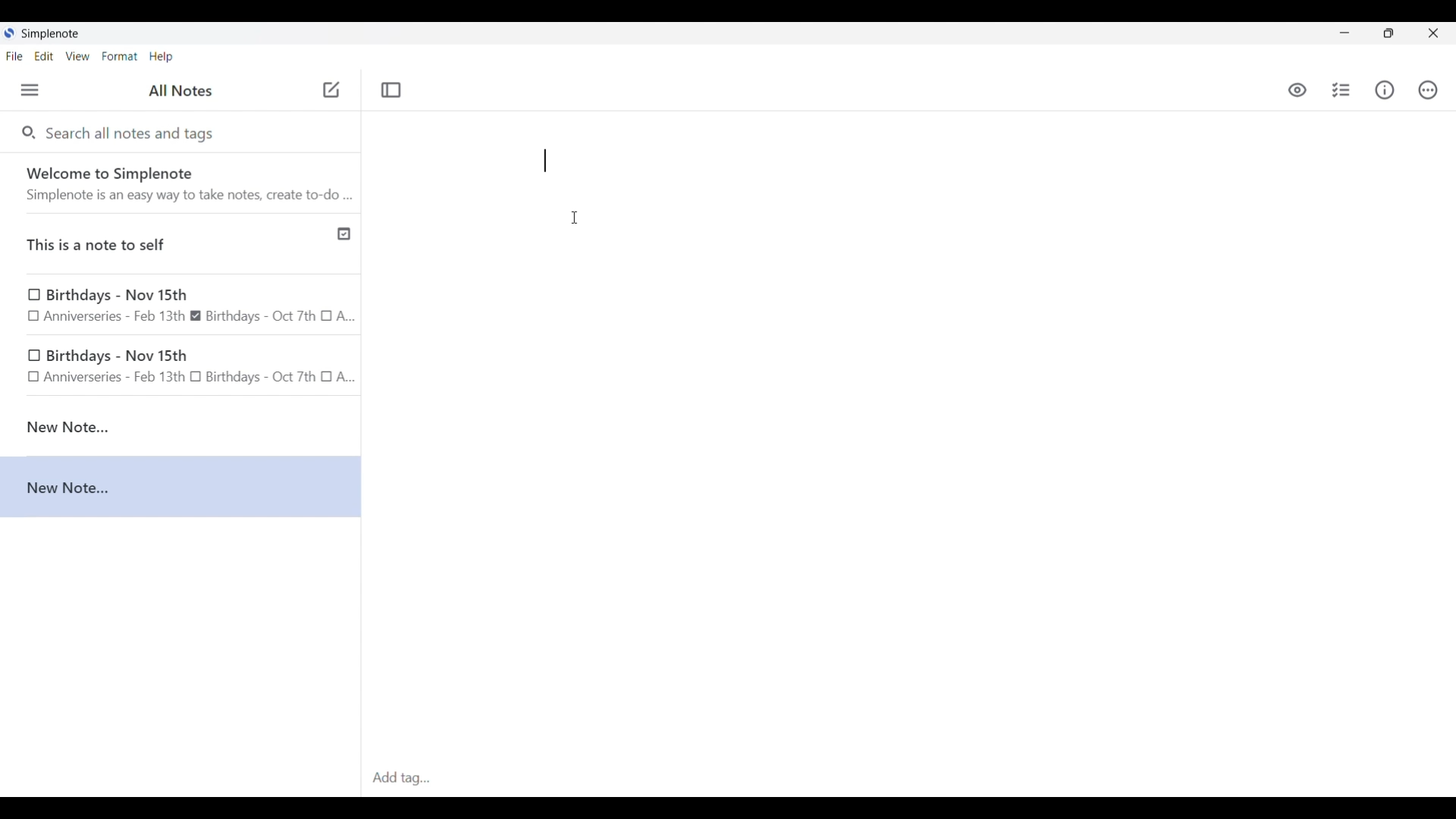 The image size is (1456, 819). Describe the element at coordinates (331, 89) in the screenshot. I see `Click to add new note` at that location.